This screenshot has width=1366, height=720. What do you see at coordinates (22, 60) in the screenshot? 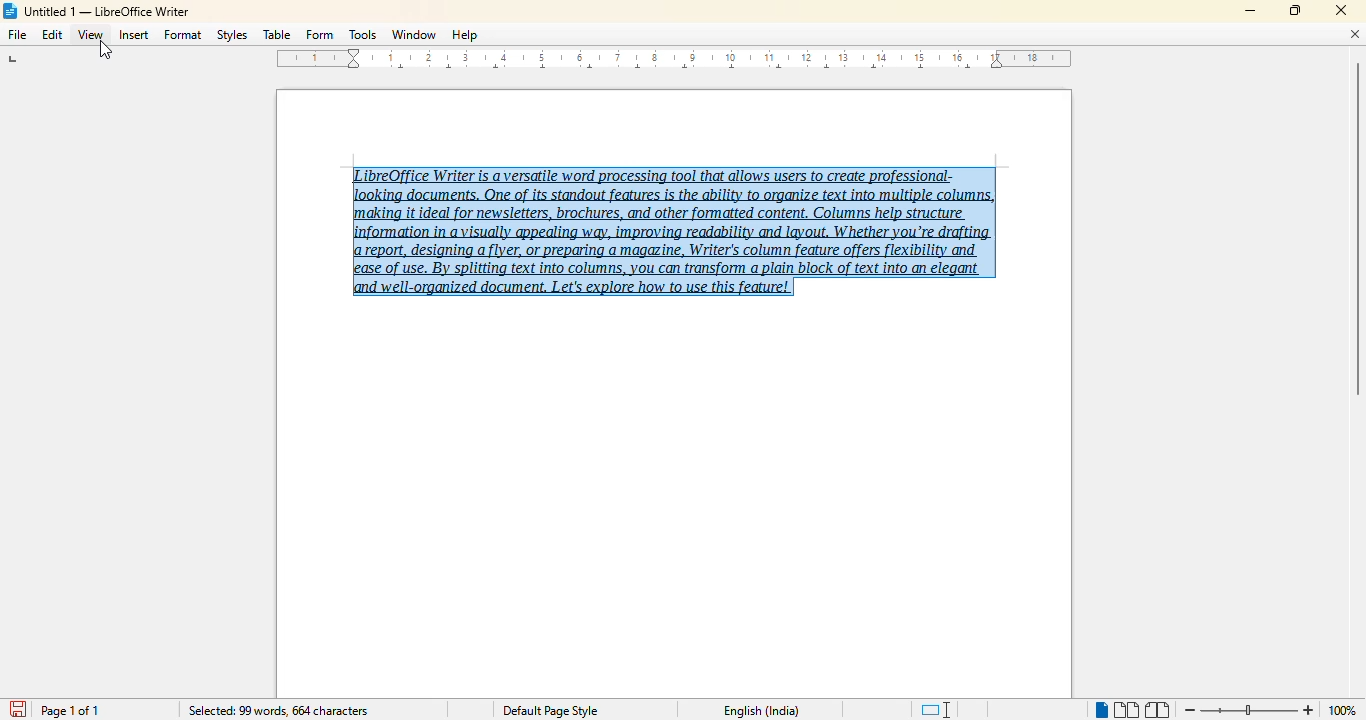
I see `tab stop` at bounding box center [22, 60].